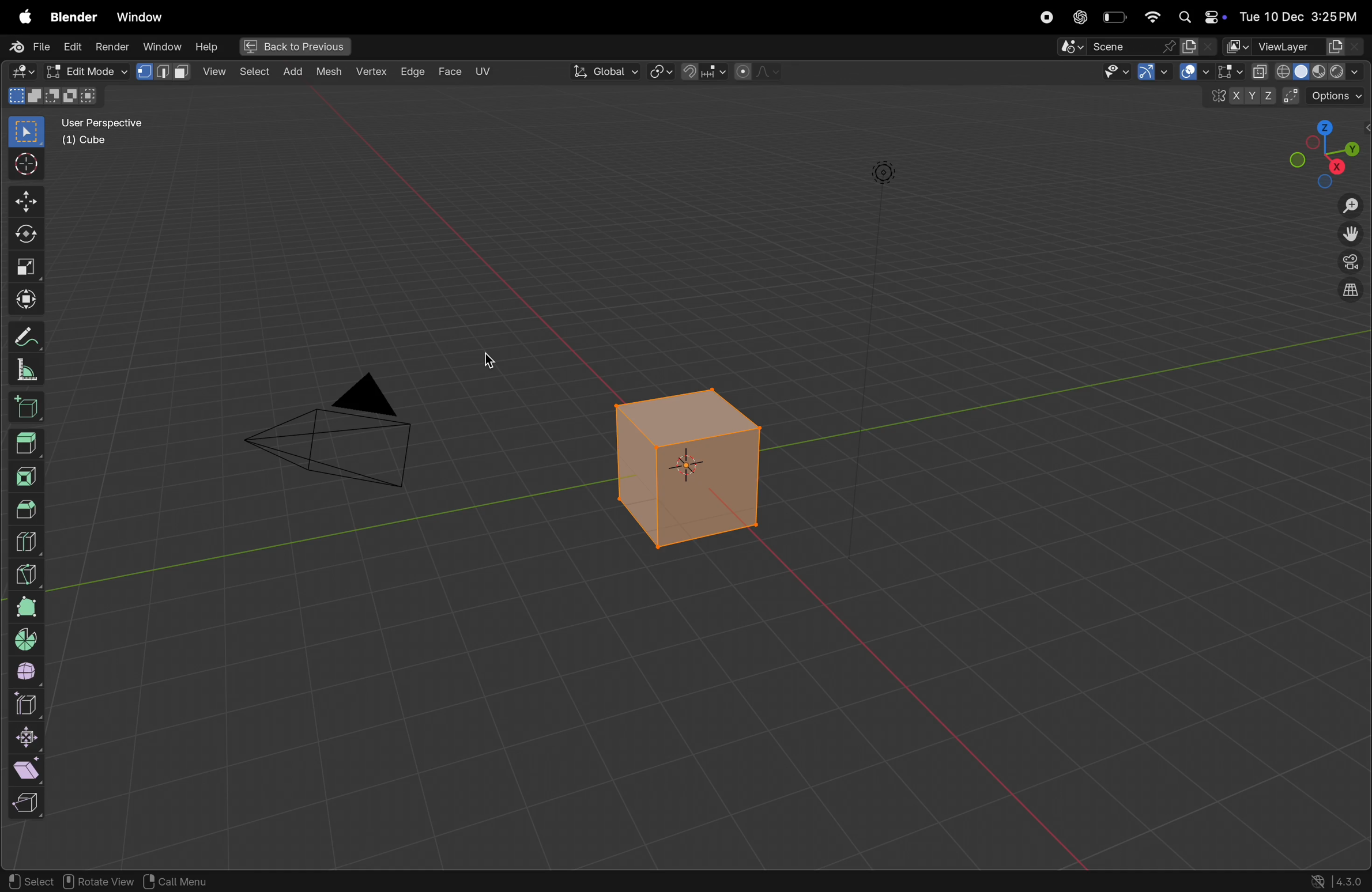 The height and width of the screenshot is (892, 1372). Describe the element at coordinates (1181, 73) in the screenshot. I see `show gimzo` at that location.